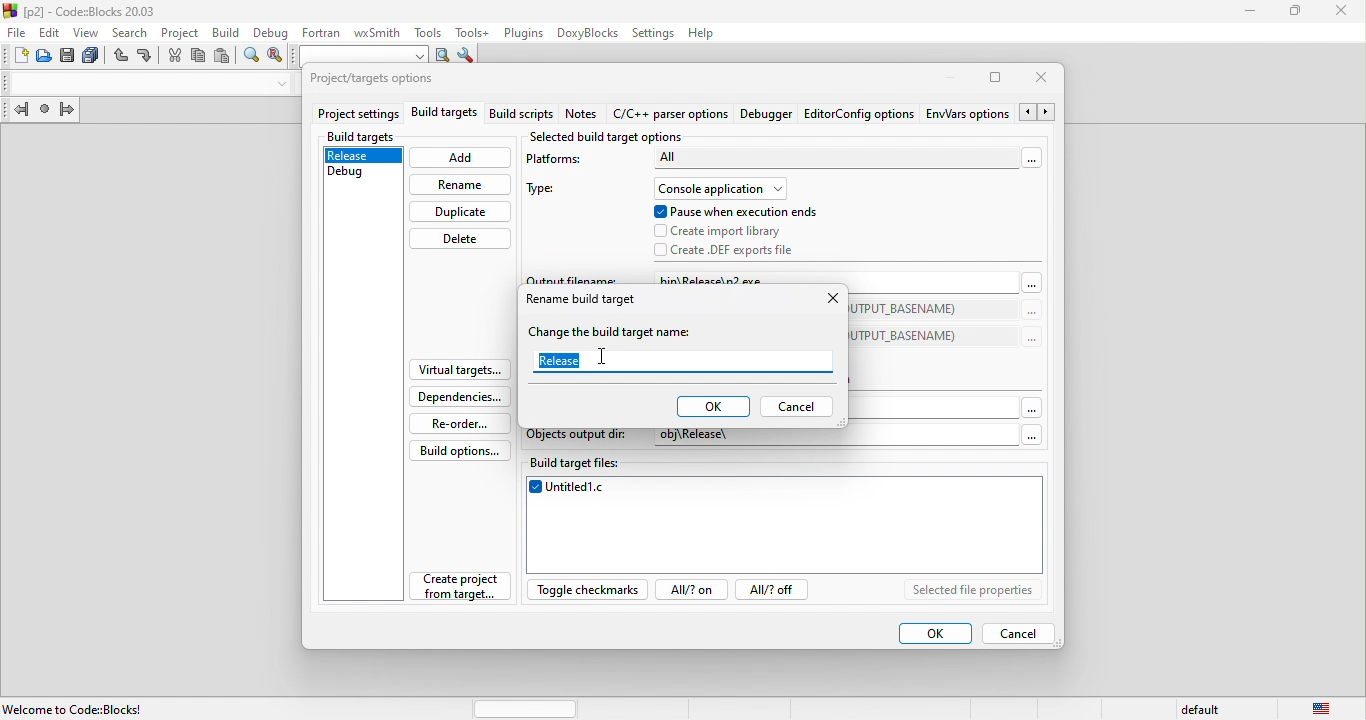  What do you see at coordinates (562, 163) in the screenshot?
I see `platforms` at bounding box center [562, 163].